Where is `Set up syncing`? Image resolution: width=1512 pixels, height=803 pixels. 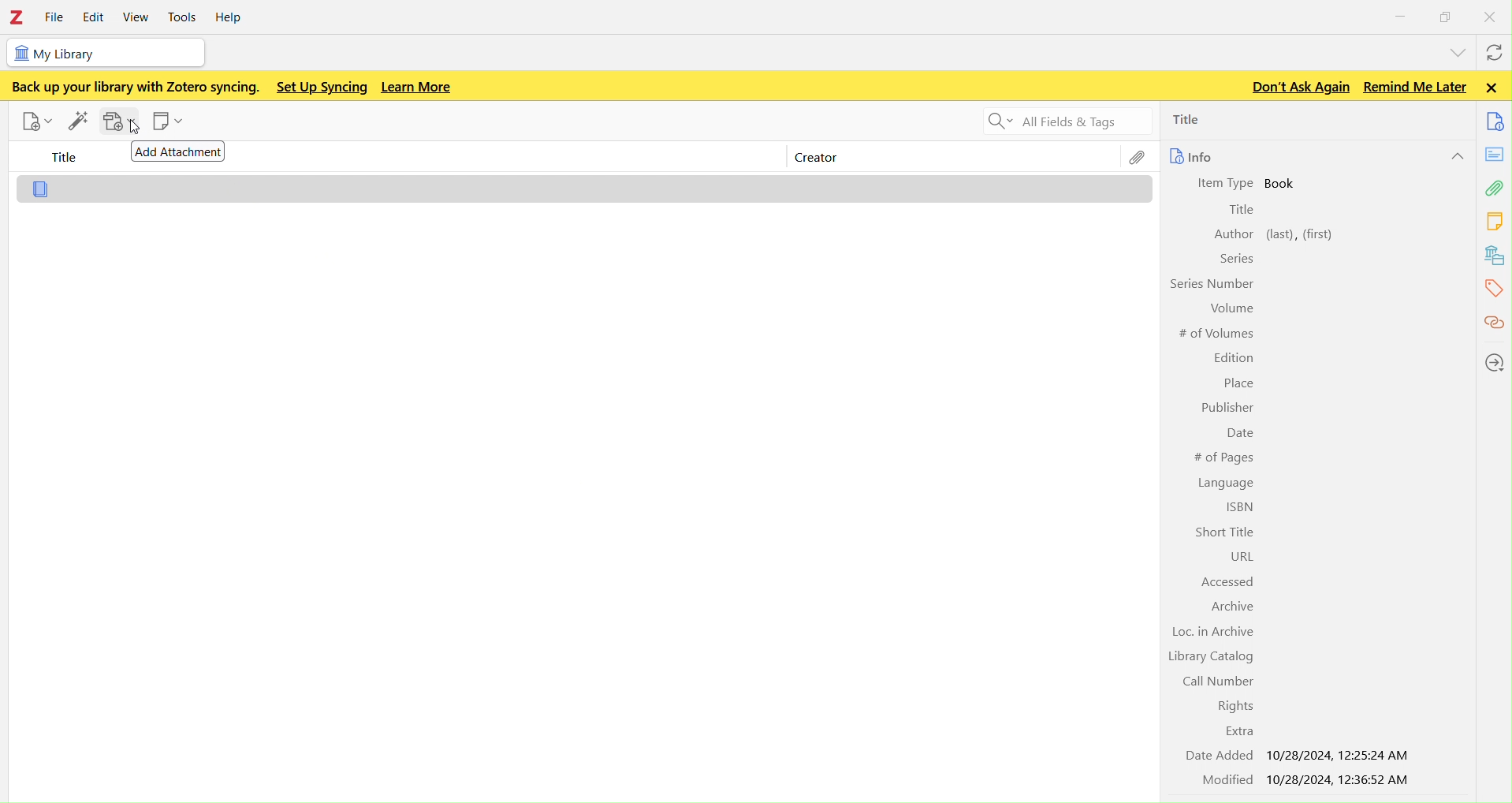 Set up syncing is located at coordinates (322, 88).